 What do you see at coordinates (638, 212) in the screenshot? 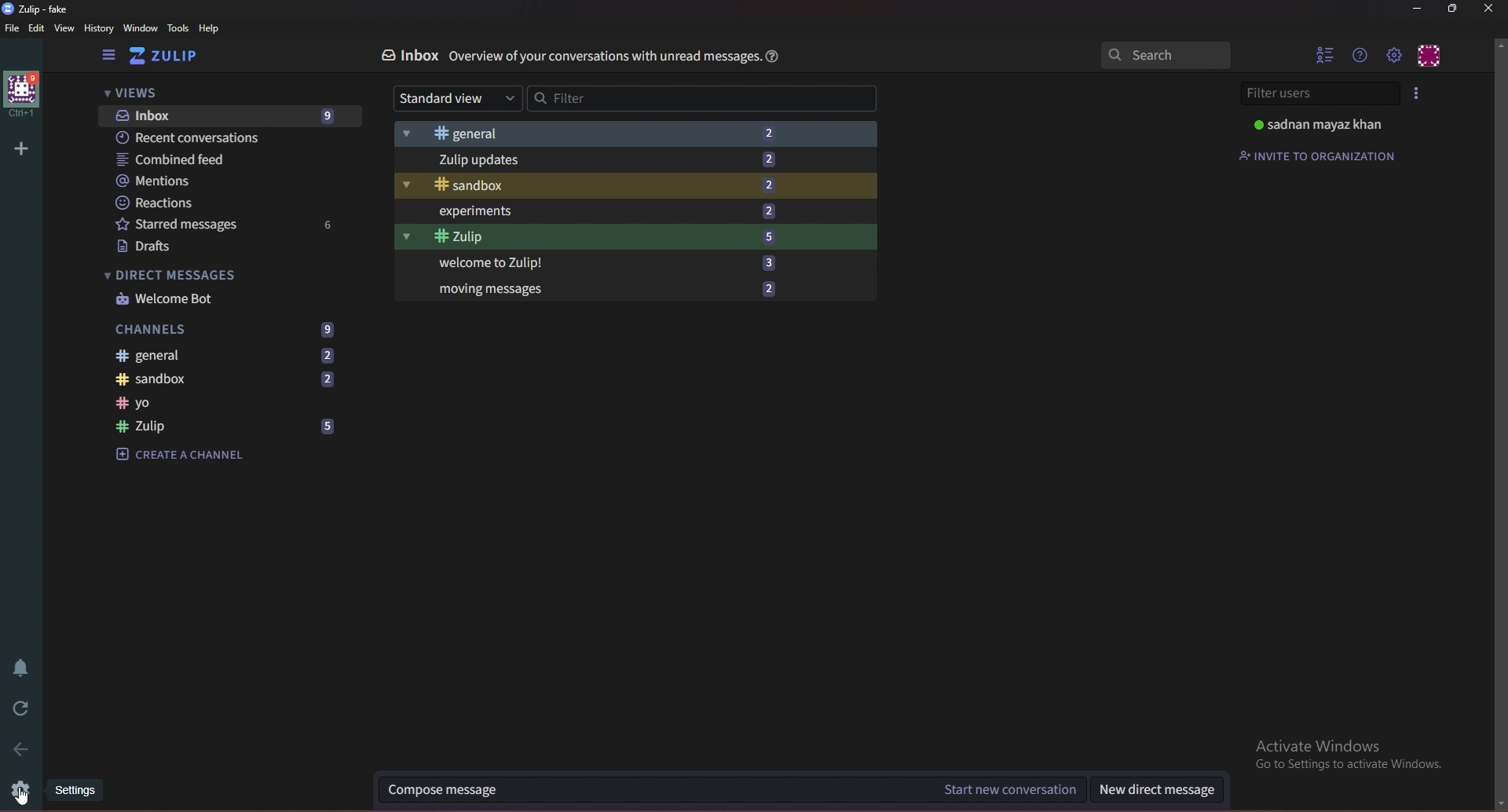
I see `Experiments` at bounding box center [638, 212].